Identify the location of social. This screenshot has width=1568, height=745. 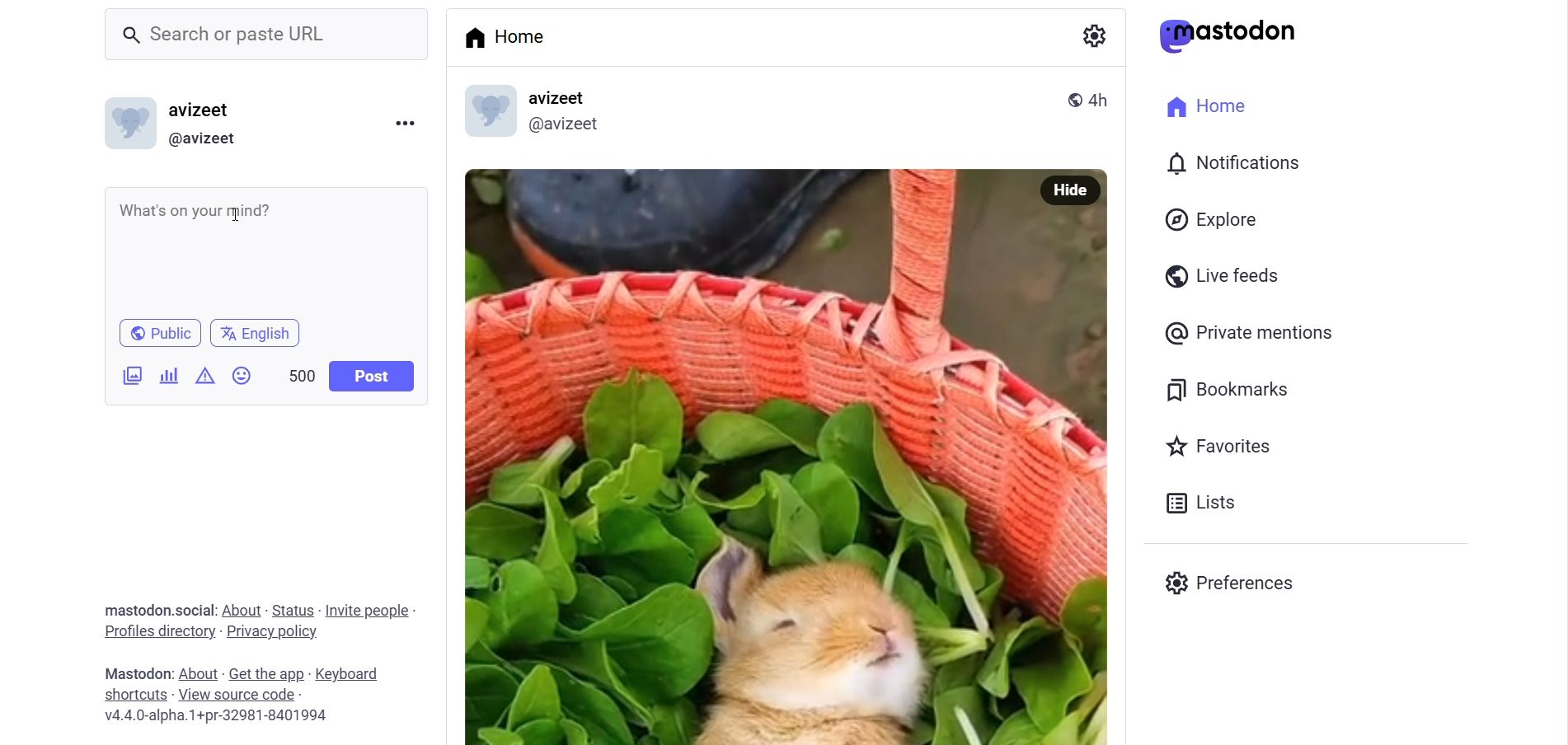
(195, 609).